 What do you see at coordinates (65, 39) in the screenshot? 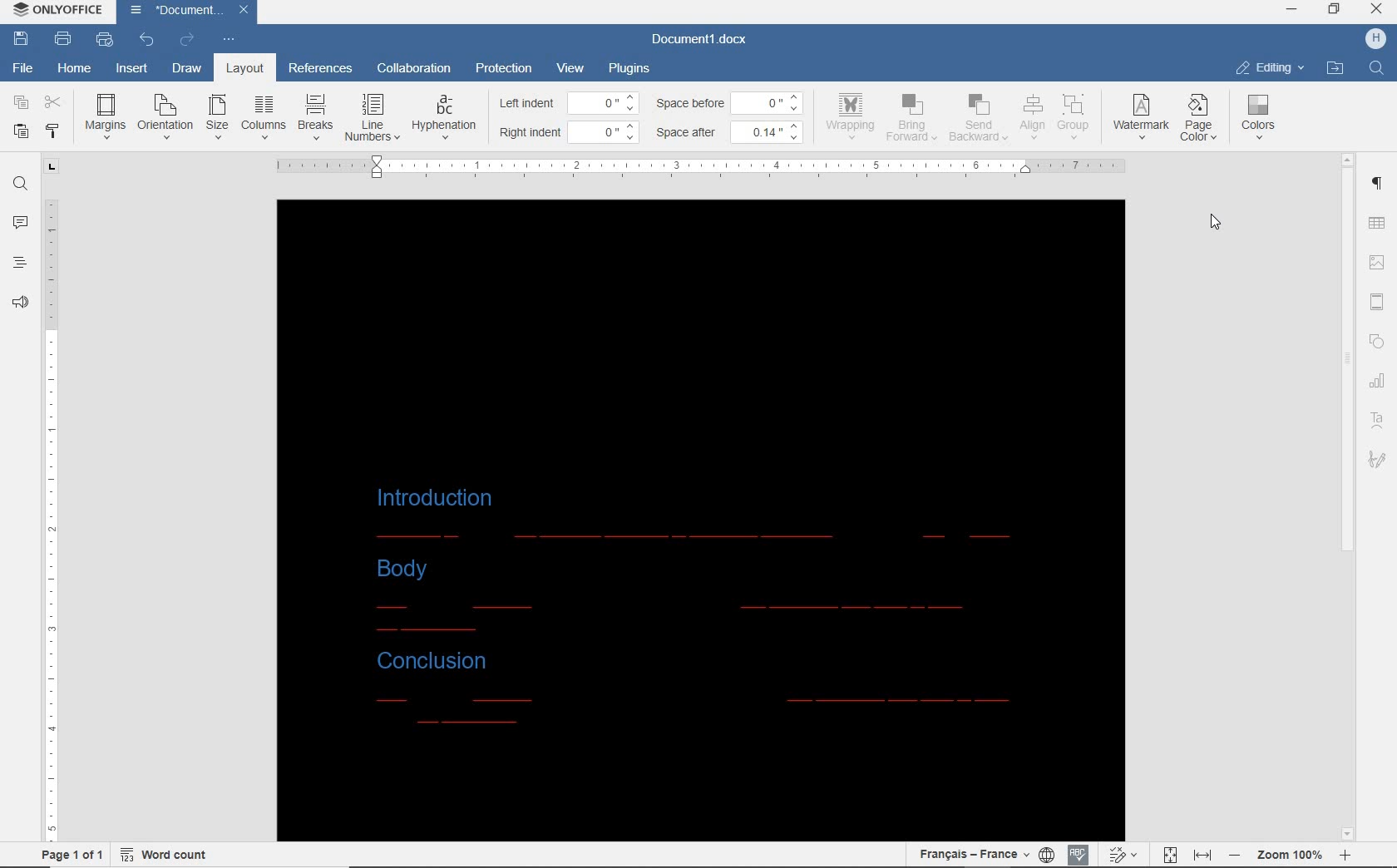
I see `print` at bounding box center [65, 39].